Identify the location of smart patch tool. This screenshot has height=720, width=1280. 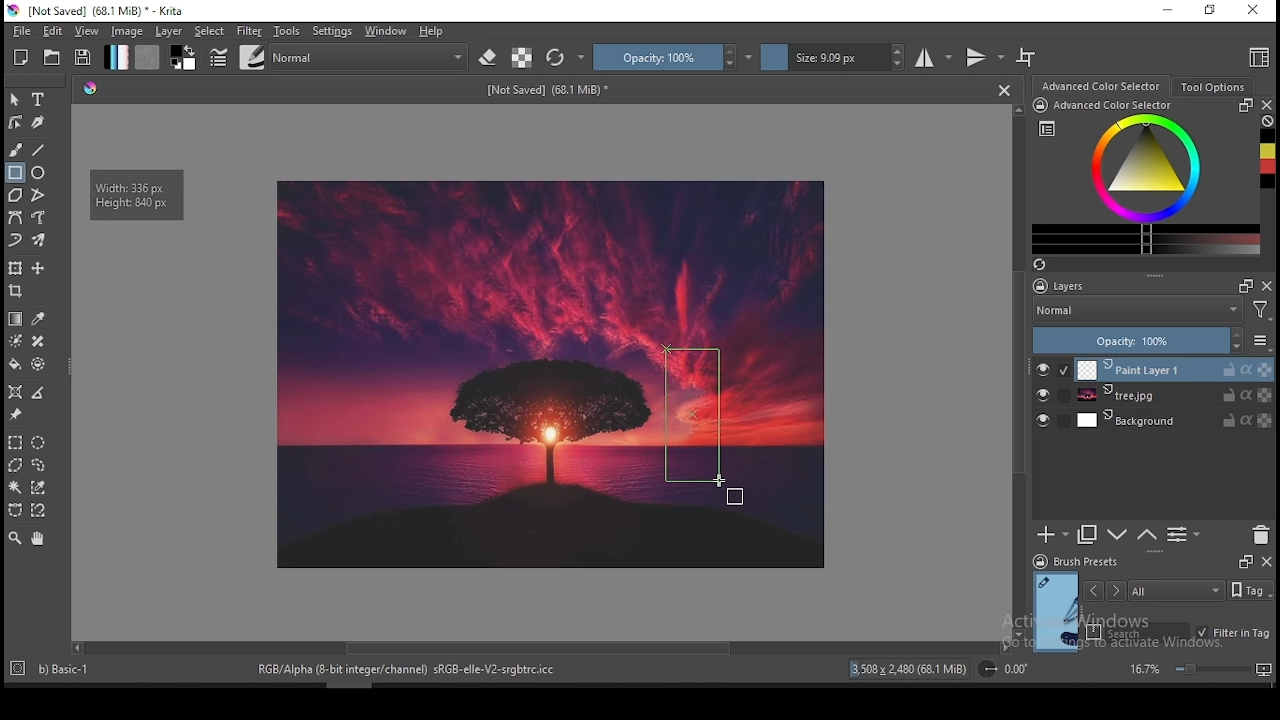
(38, 341).